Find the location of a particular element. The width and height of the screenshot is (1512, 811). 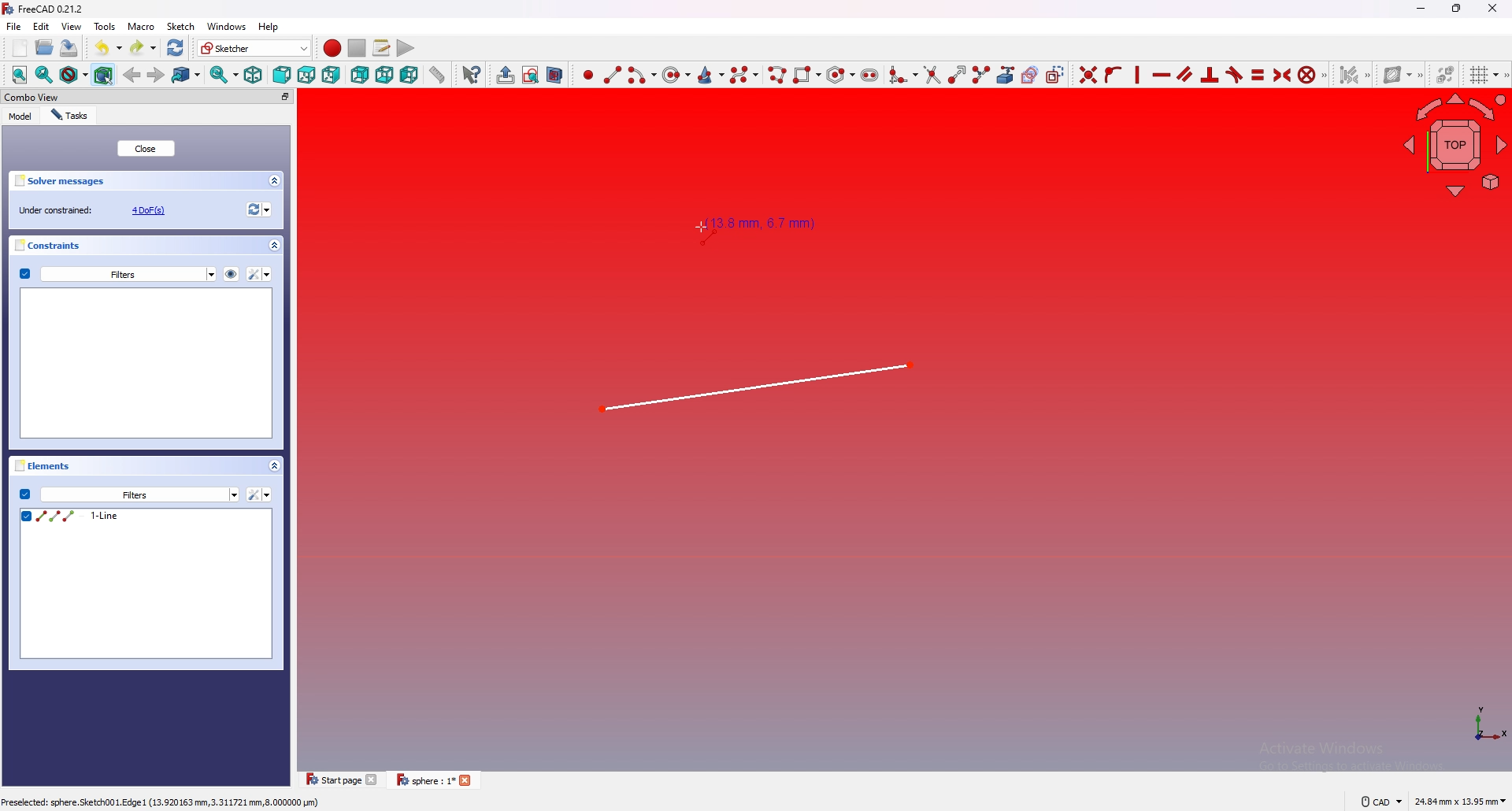

Constraint Symmetrical is located at coordinates (1280, 74).